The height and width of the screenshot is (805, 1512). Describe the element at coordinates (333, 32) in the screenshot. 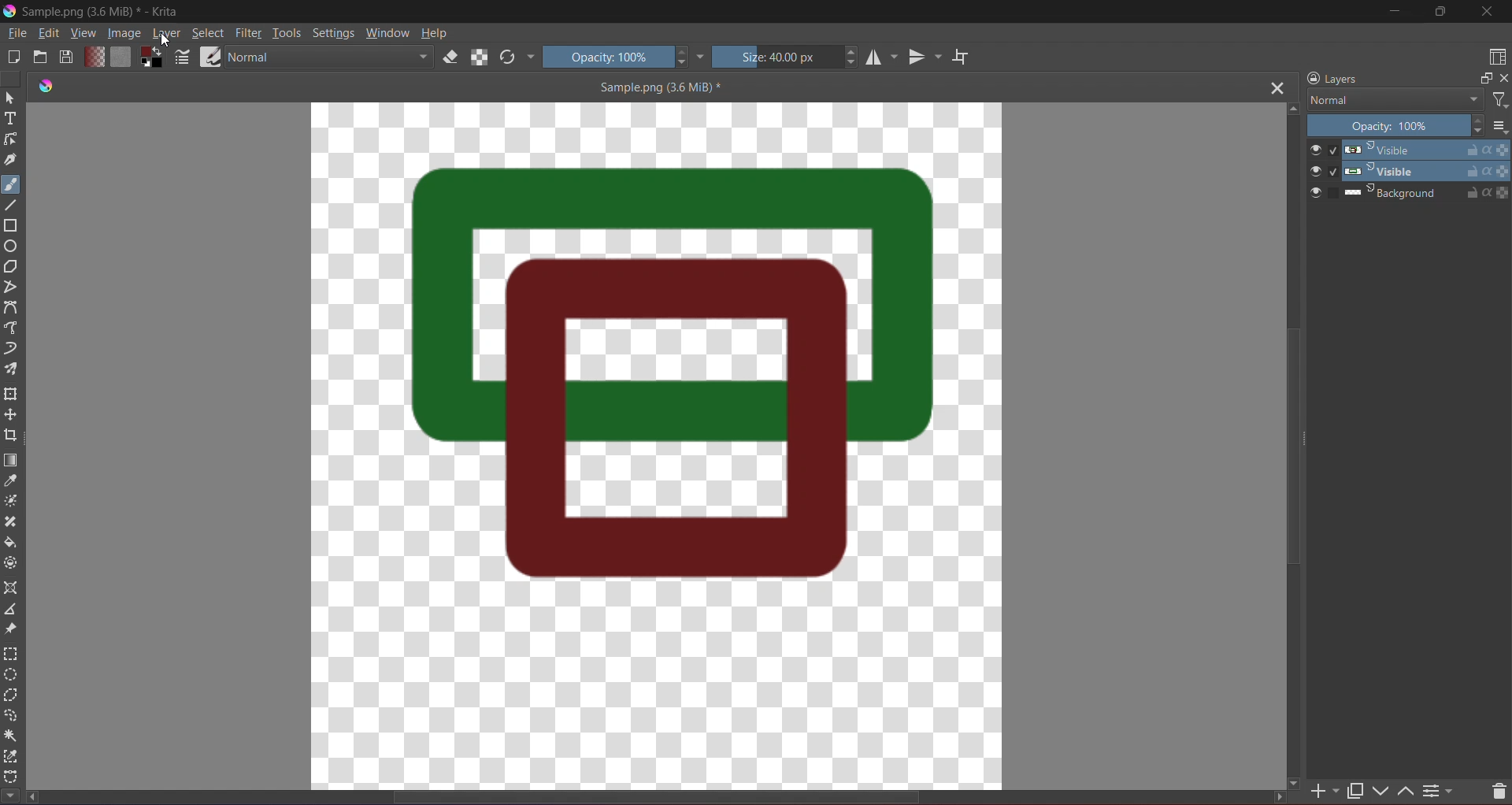

I see `Settings` at that location.